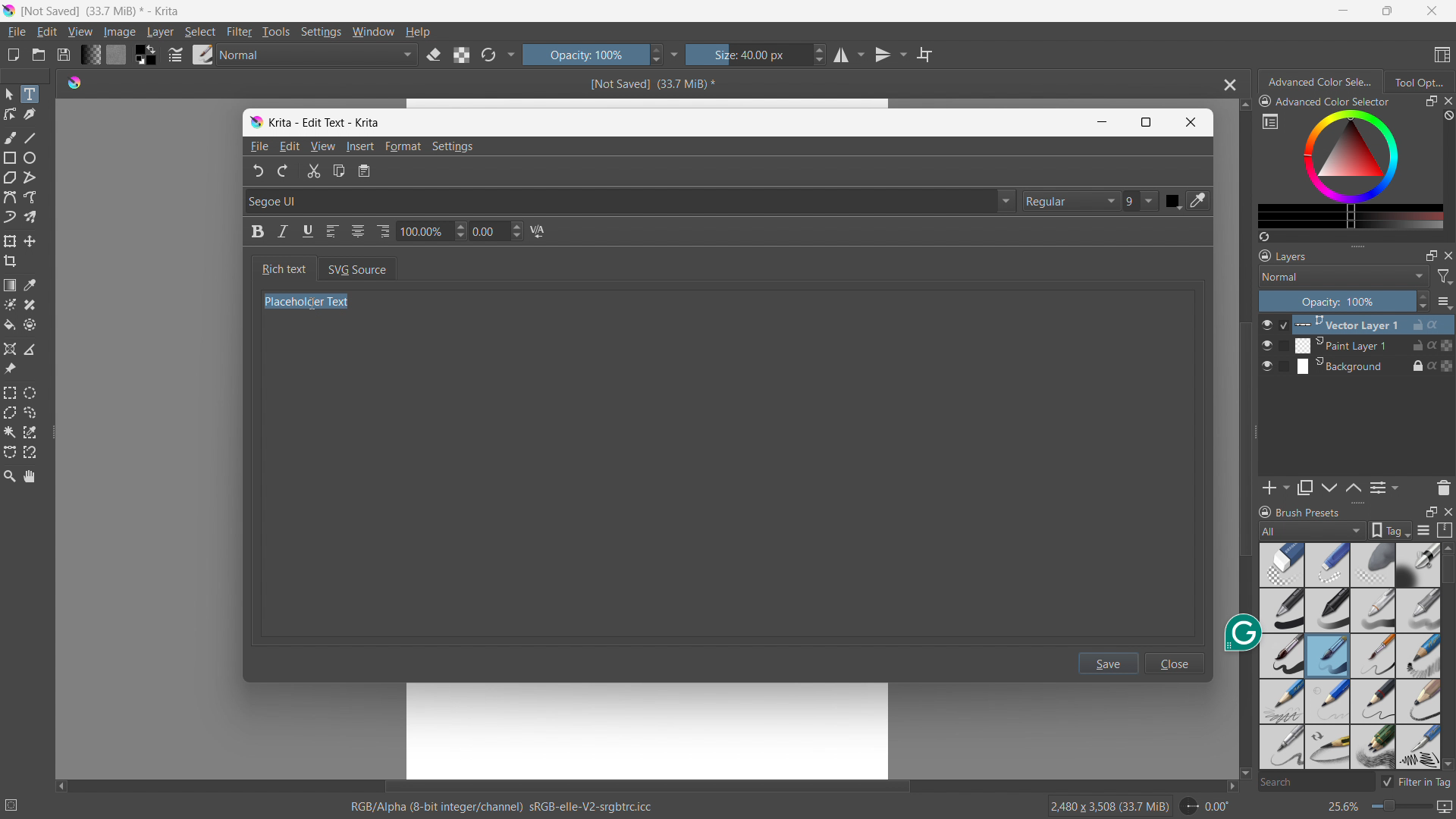 Image resolution: width=1456 pixels, height=819 pixels. I want to click on Blur, so click(1282, 564).